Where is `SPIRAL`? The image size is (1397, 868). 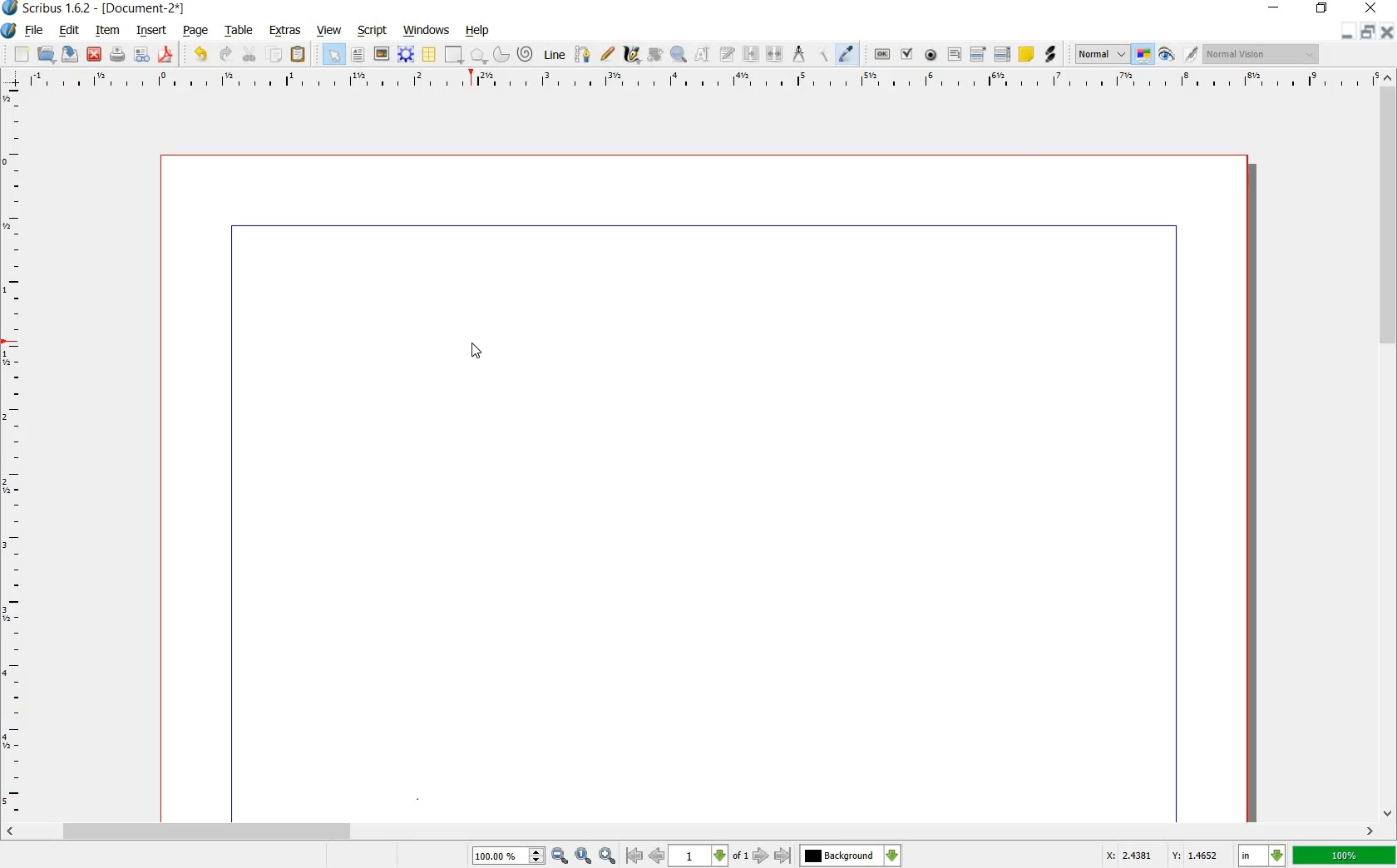
SPIRAL is located at coordinates (524, 55).